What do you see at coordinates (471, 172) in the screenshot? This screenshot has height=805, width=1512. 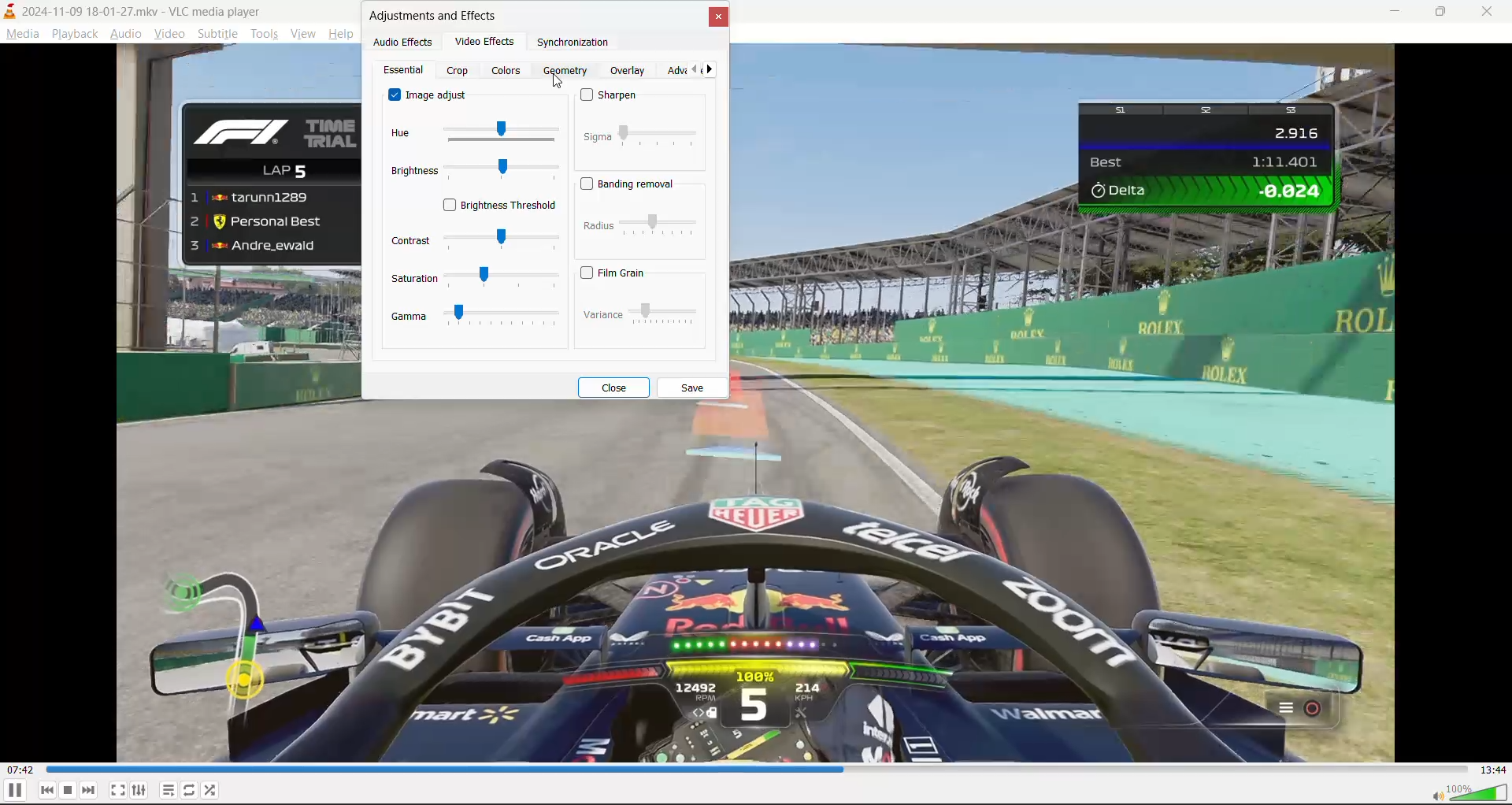 I see `brightness` at bounding box center [471, 172].